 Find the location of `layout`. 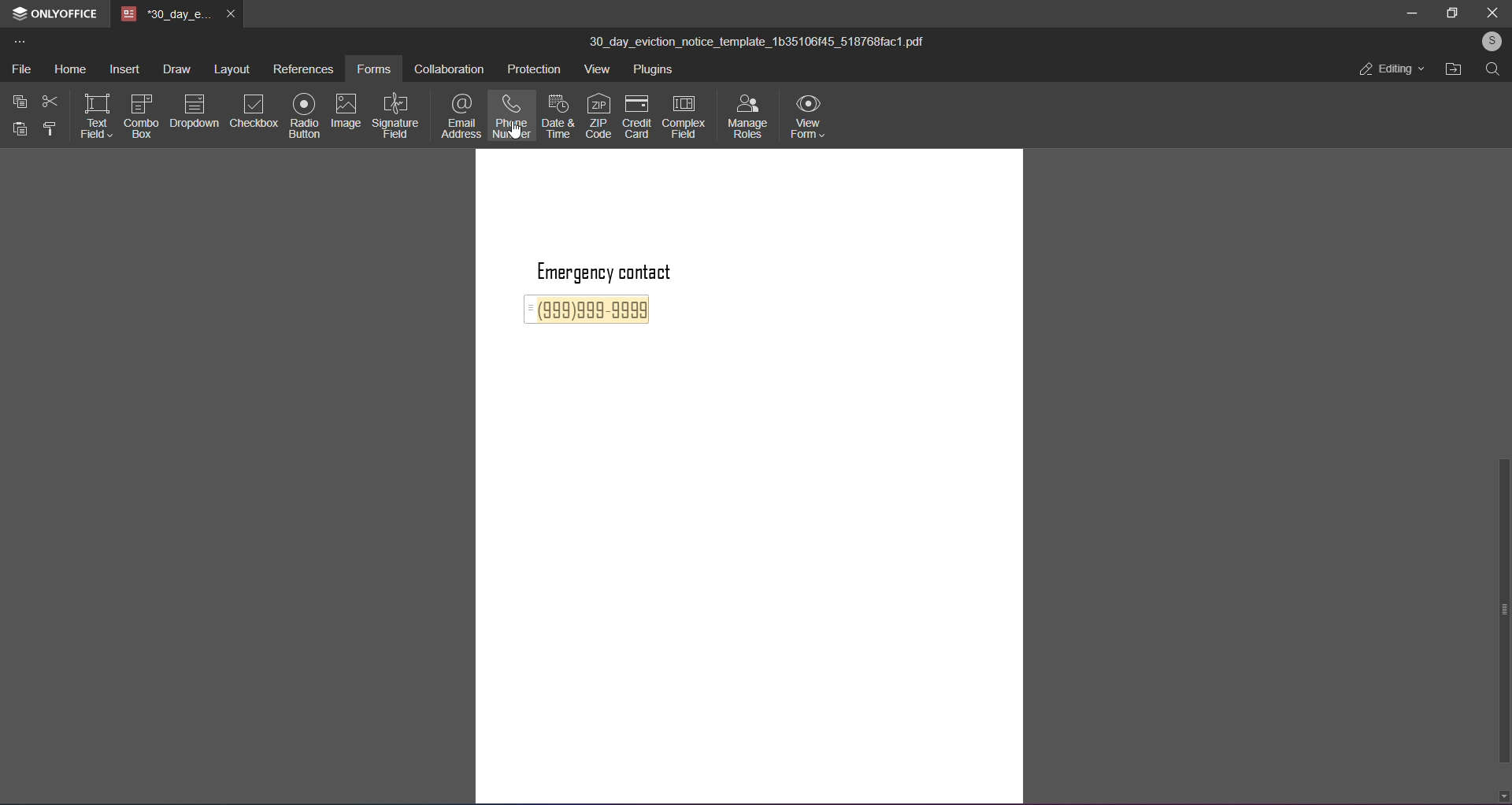

layout is located at coordinates (232, 71).